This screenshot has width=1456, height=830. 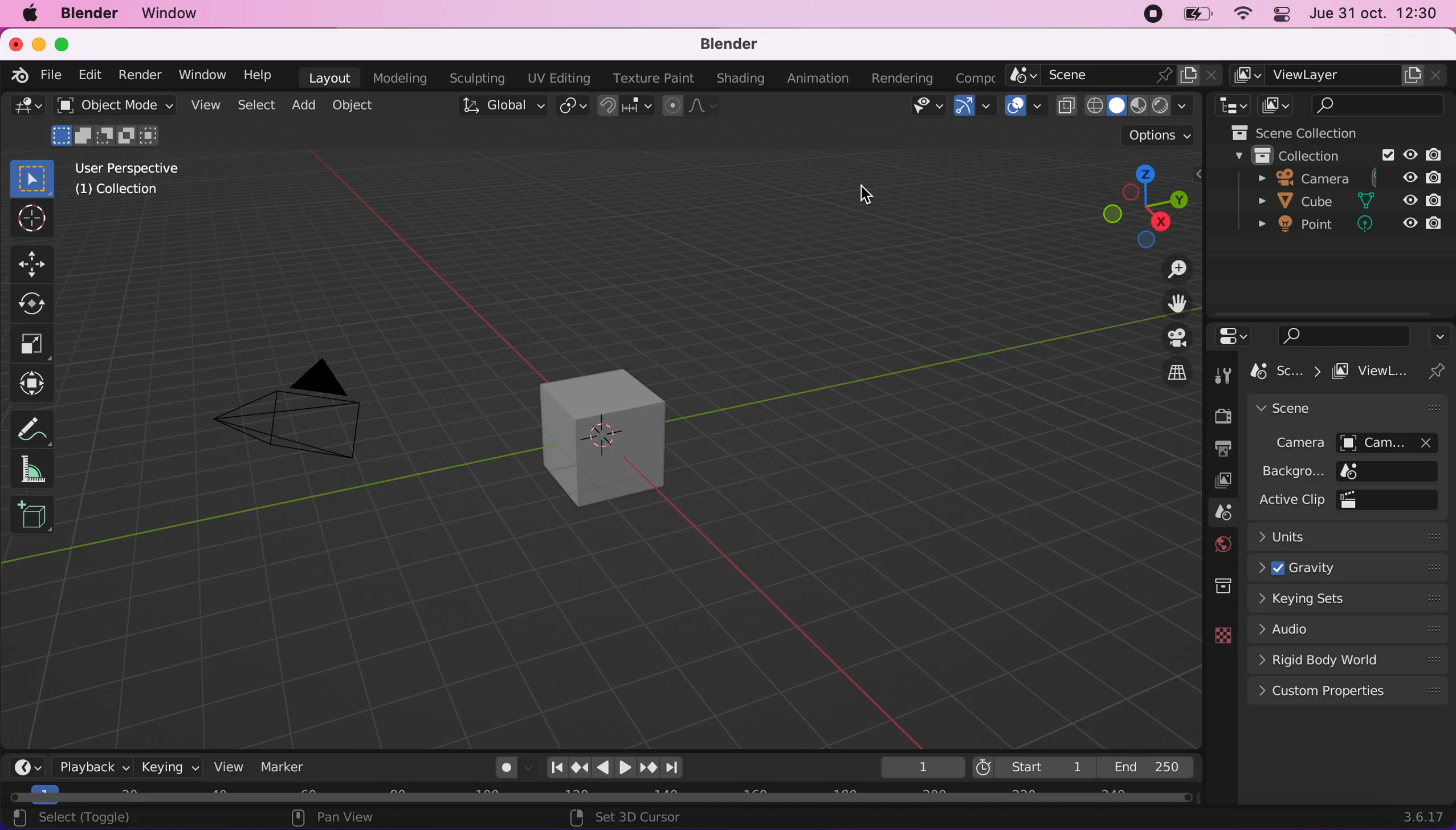 I want to click on start 1, so click(x=1034, y=766).